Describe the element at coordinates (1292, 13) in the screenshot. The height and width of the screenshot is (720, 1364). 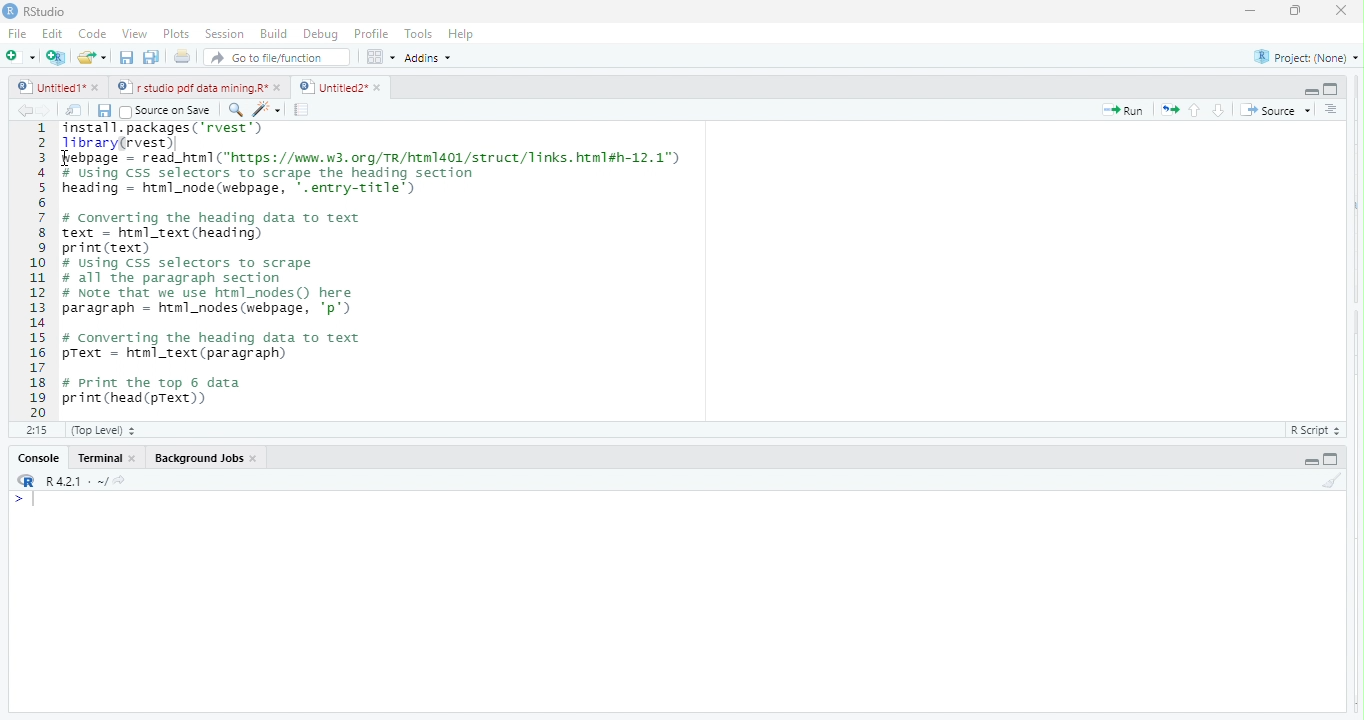
I see `minimize` at that location.